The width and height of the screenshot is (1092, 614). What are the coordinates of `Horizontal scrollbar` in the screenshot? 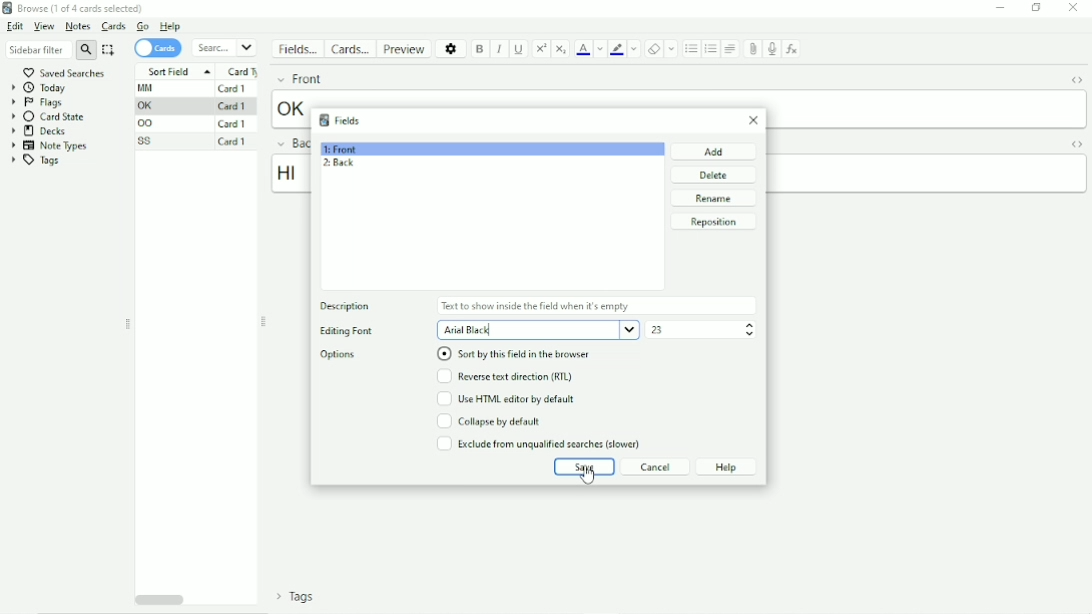 It's located at (158, 600).